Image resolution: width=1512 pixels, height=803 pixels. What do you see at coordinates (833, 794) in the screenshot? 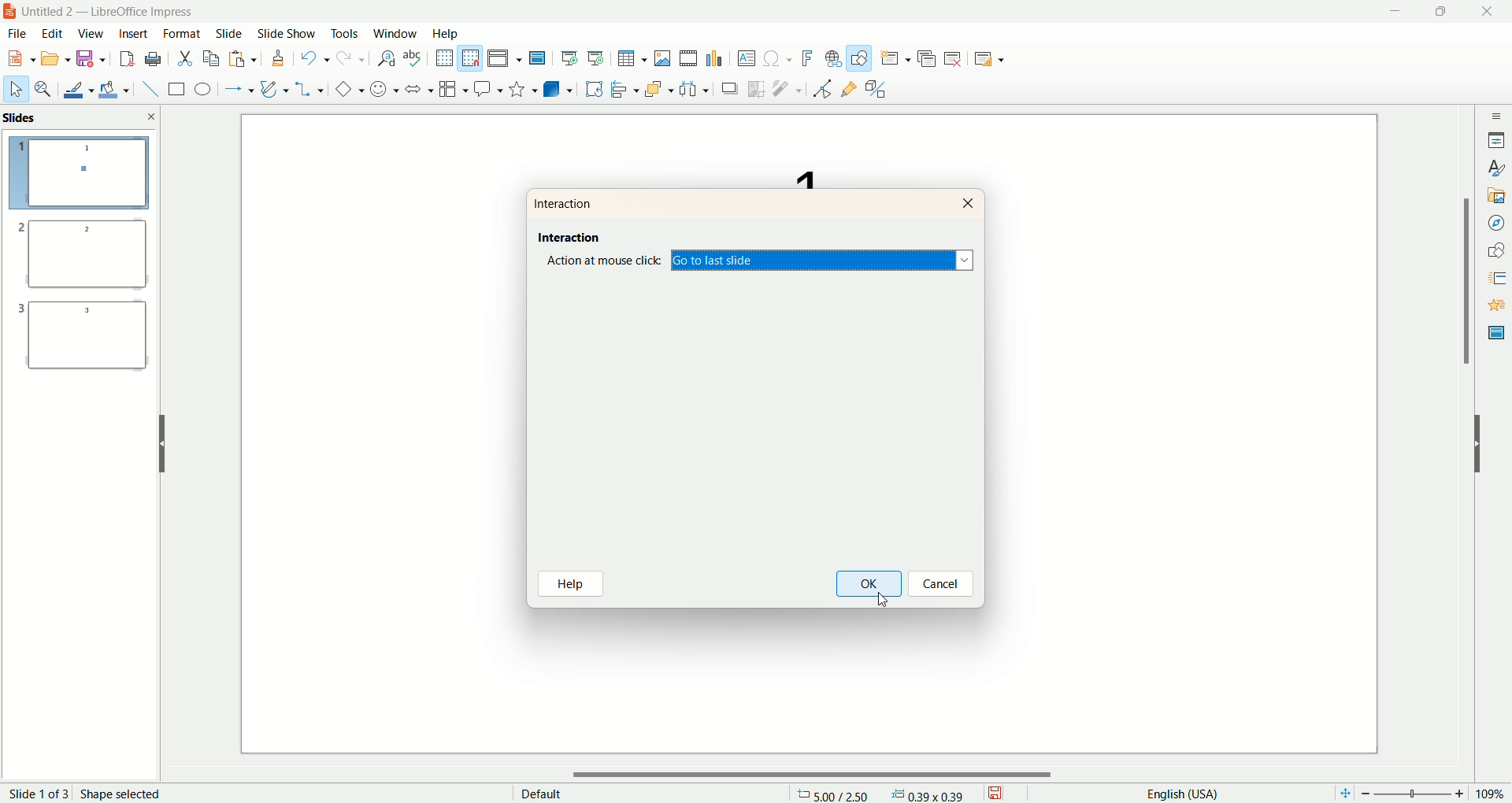
I see `coordinates` at bounding box center [833, 794].